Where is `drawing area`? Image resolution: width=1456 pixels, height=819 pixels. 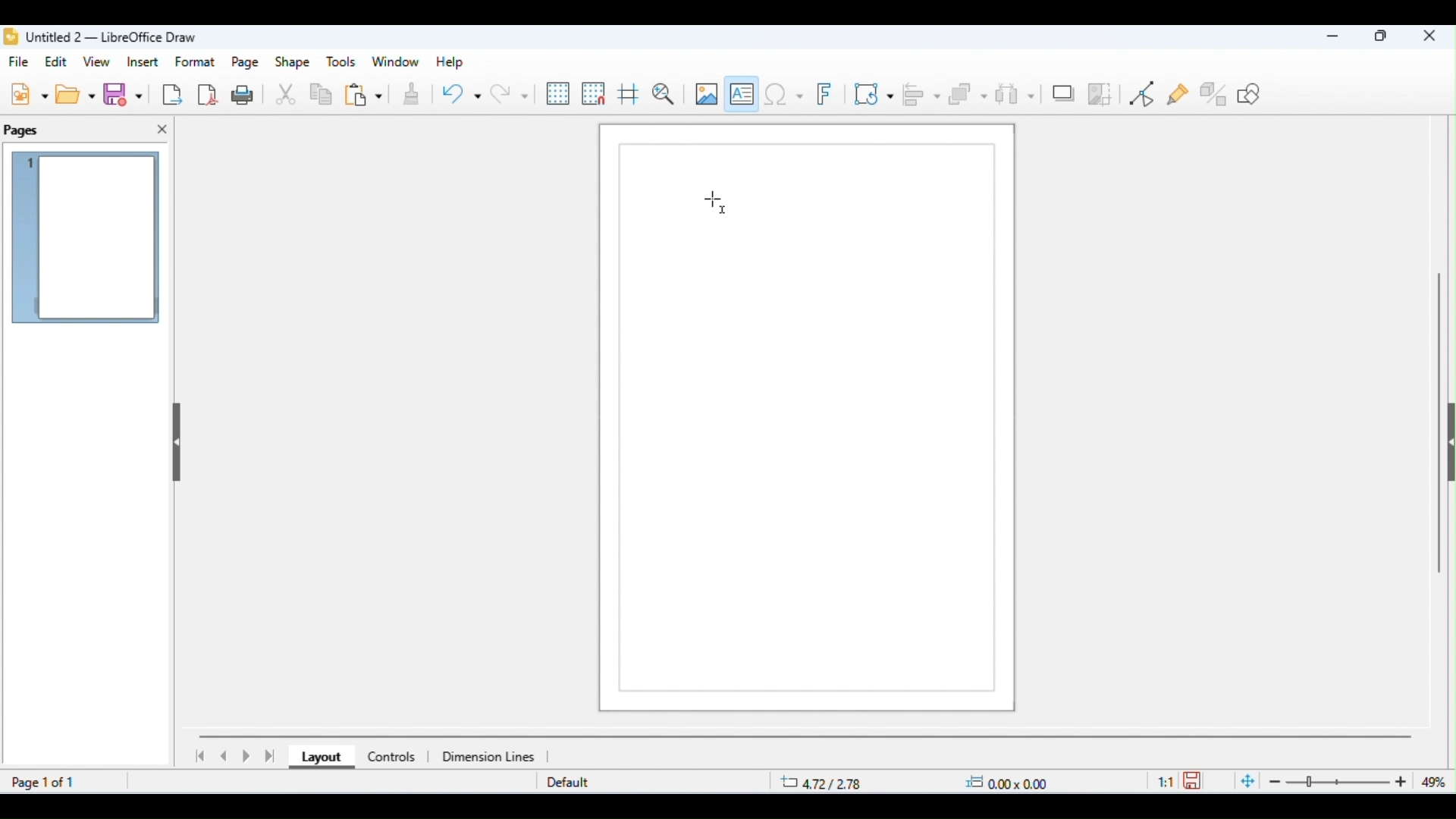 drawing area is located at coordinates (808, 423).